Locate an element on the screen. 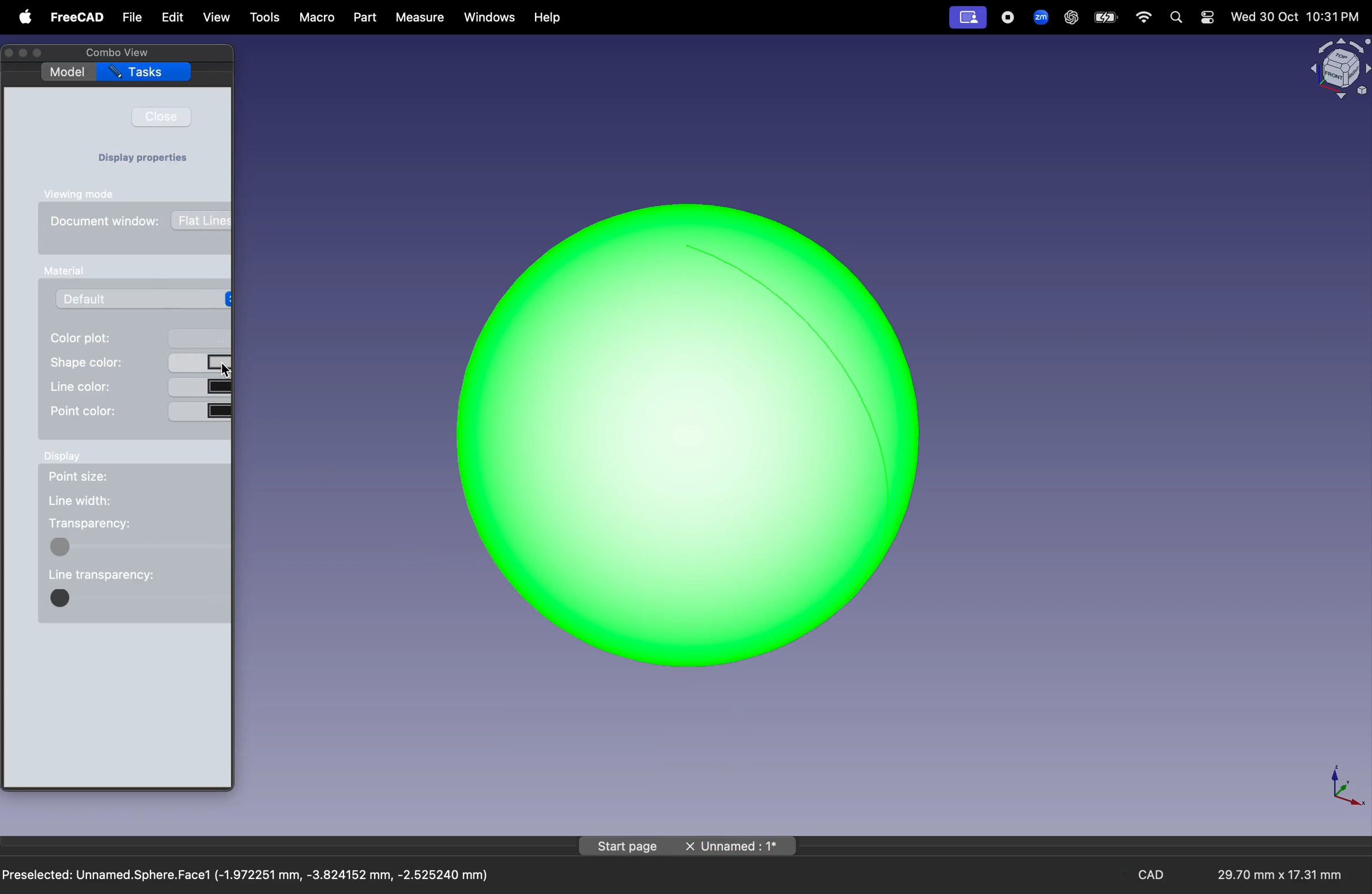 This screenshot has height=894, width=1372. line color is located at coordinates (140, 387).